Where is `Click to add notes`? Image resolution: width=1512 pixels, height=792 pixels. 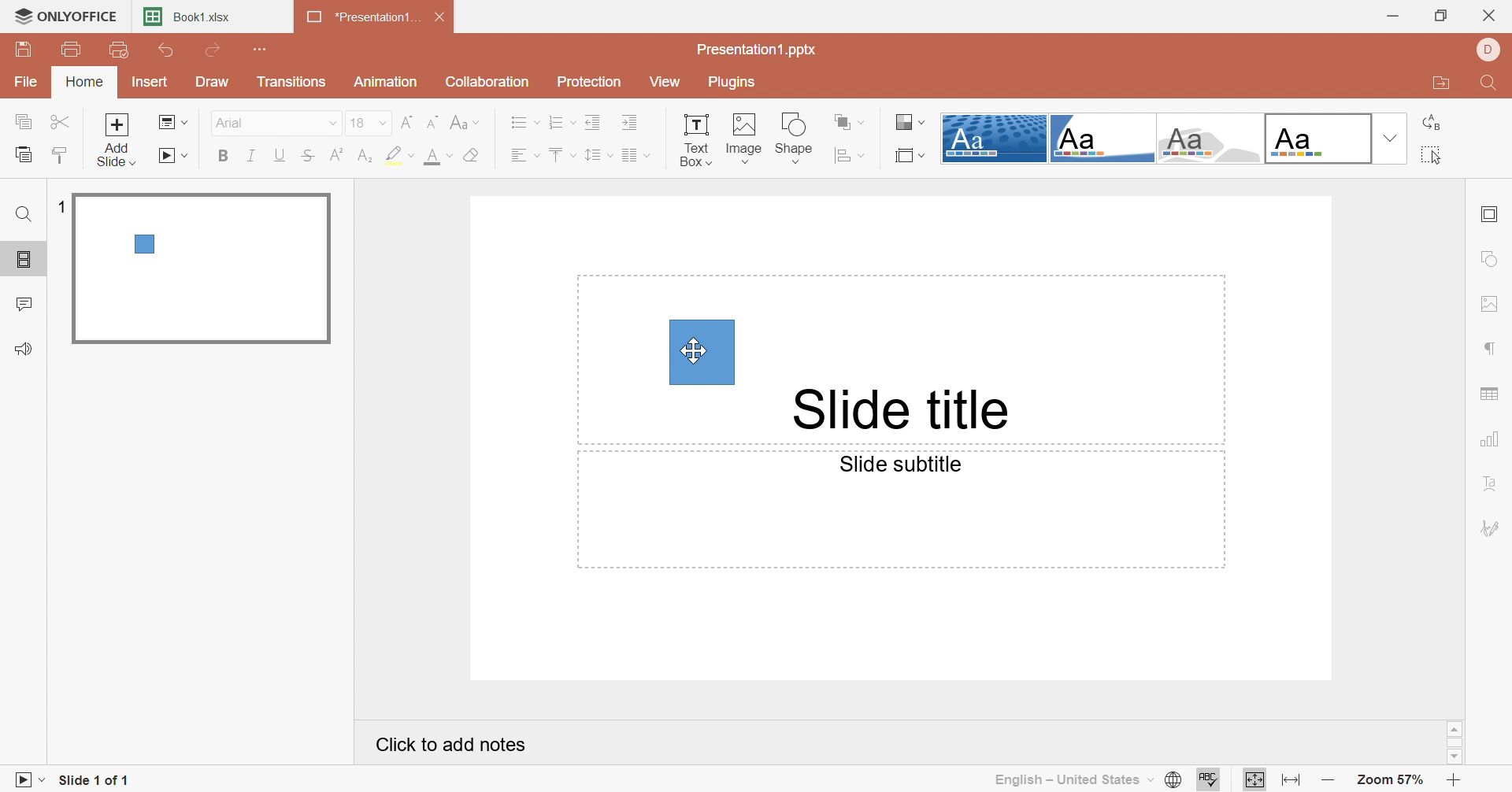 Click to add notes is located at coordinates (452, 747).